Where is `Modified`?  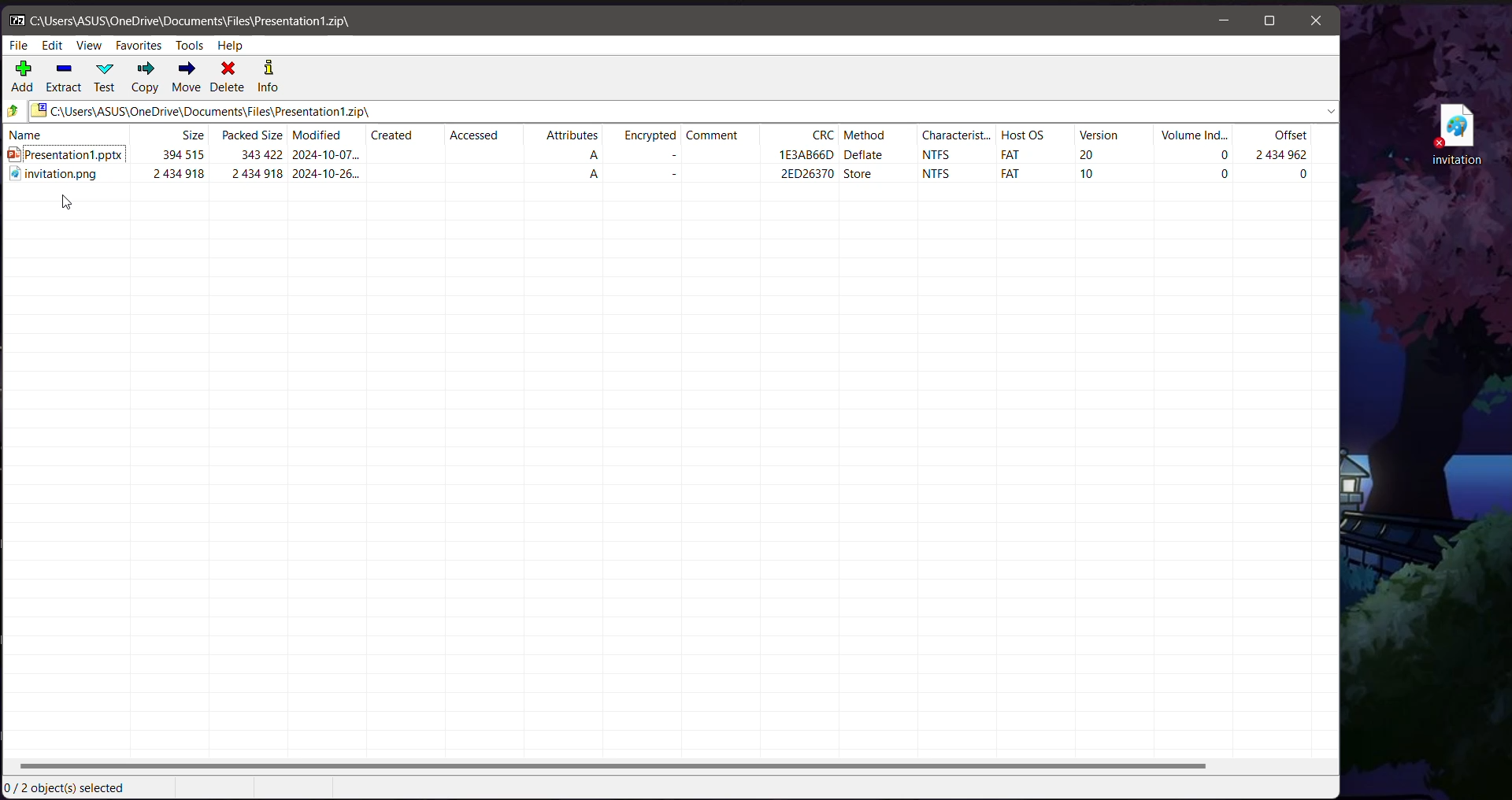 Modified is located at coordinates (327, 134).